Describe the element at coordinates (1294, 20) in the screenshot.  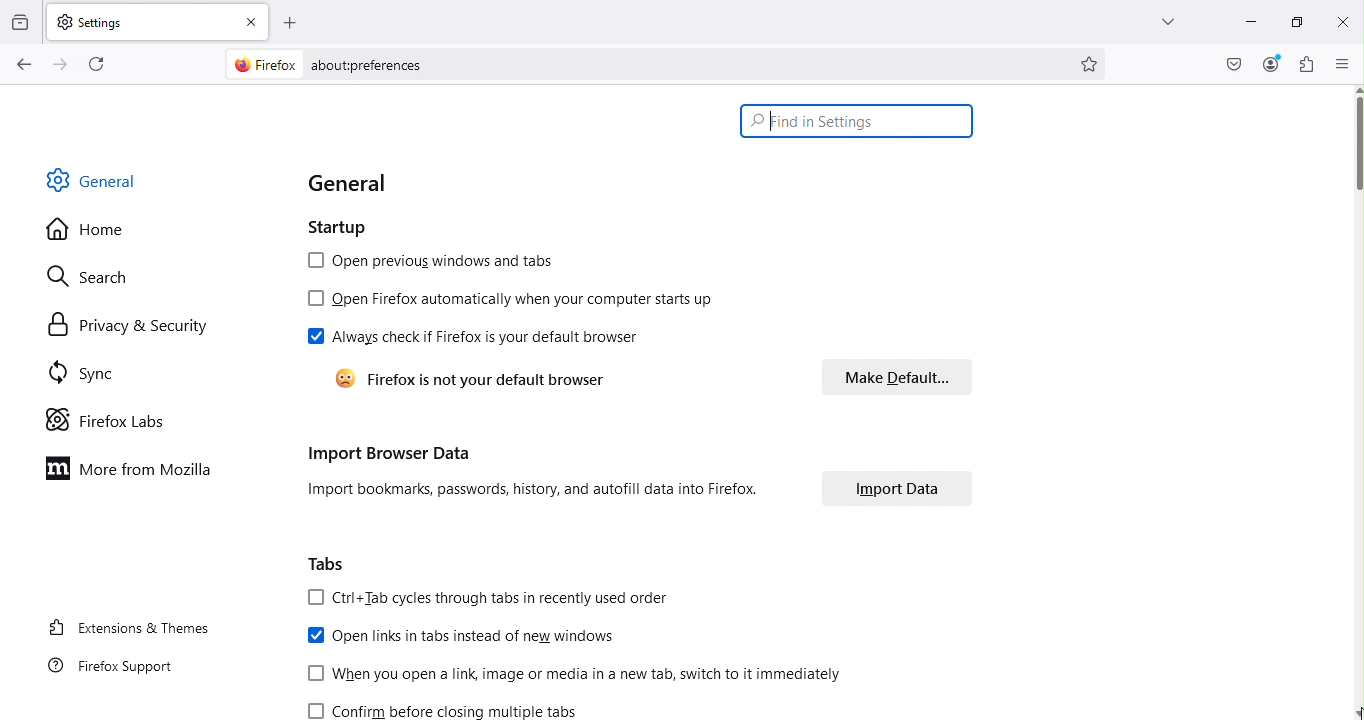
I see `Maximize` at that location.